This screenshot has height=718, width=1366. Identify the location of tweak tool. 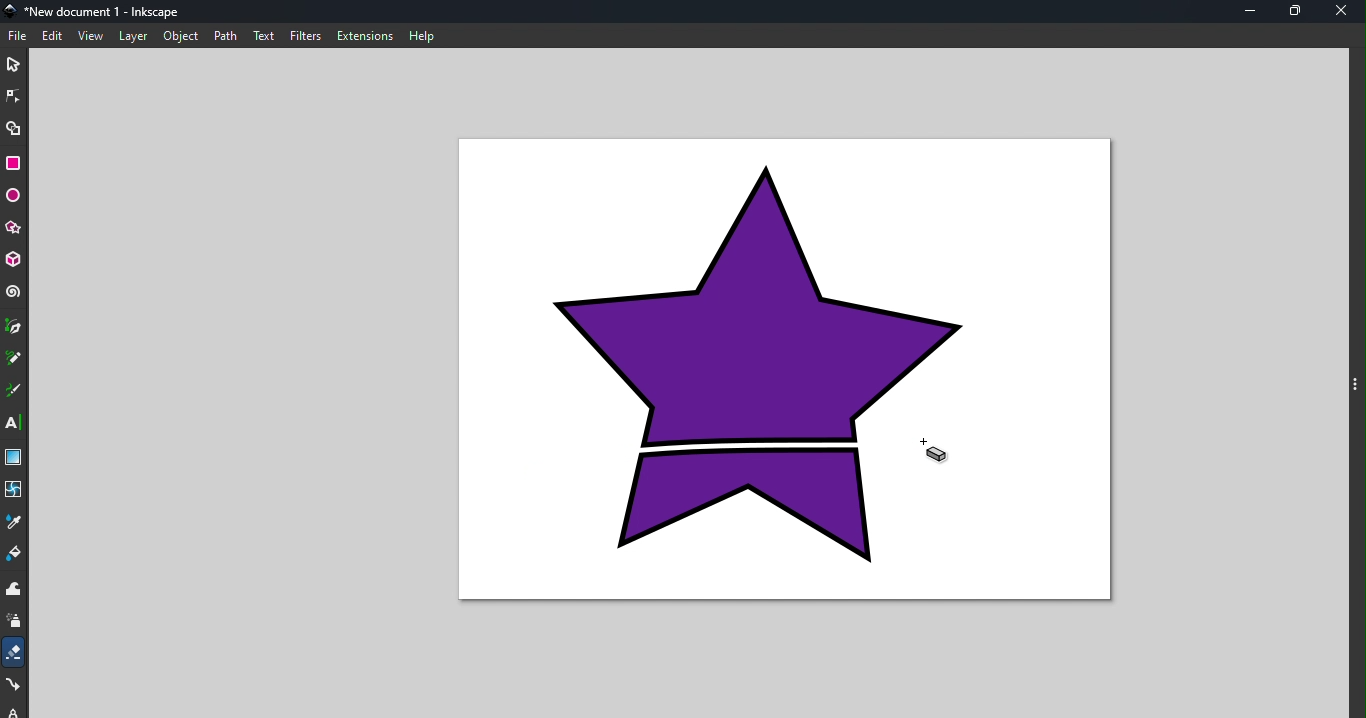
(13, 590).